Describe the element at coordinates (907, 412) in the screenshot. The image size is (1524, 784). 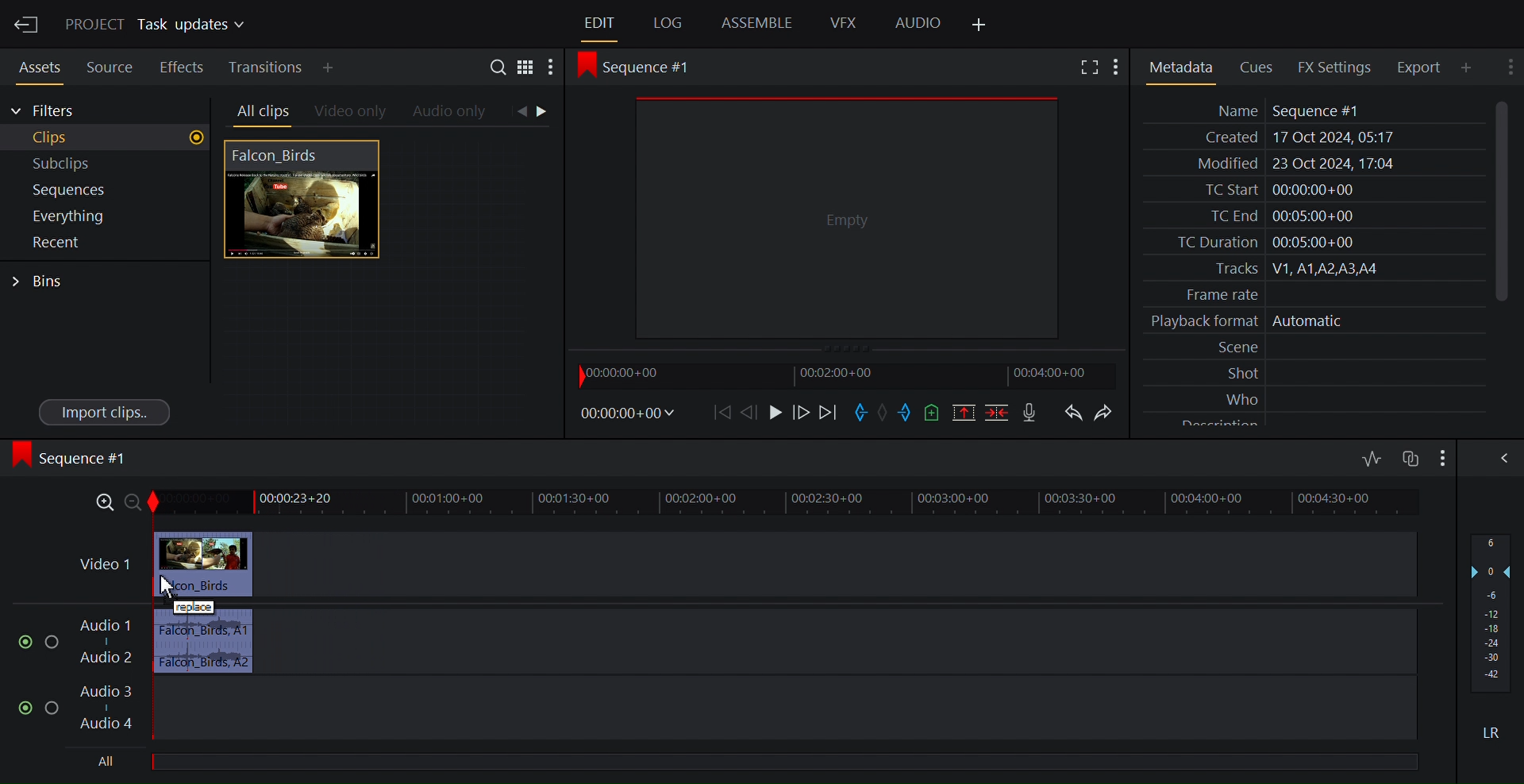
I see `Mark out` at that location.